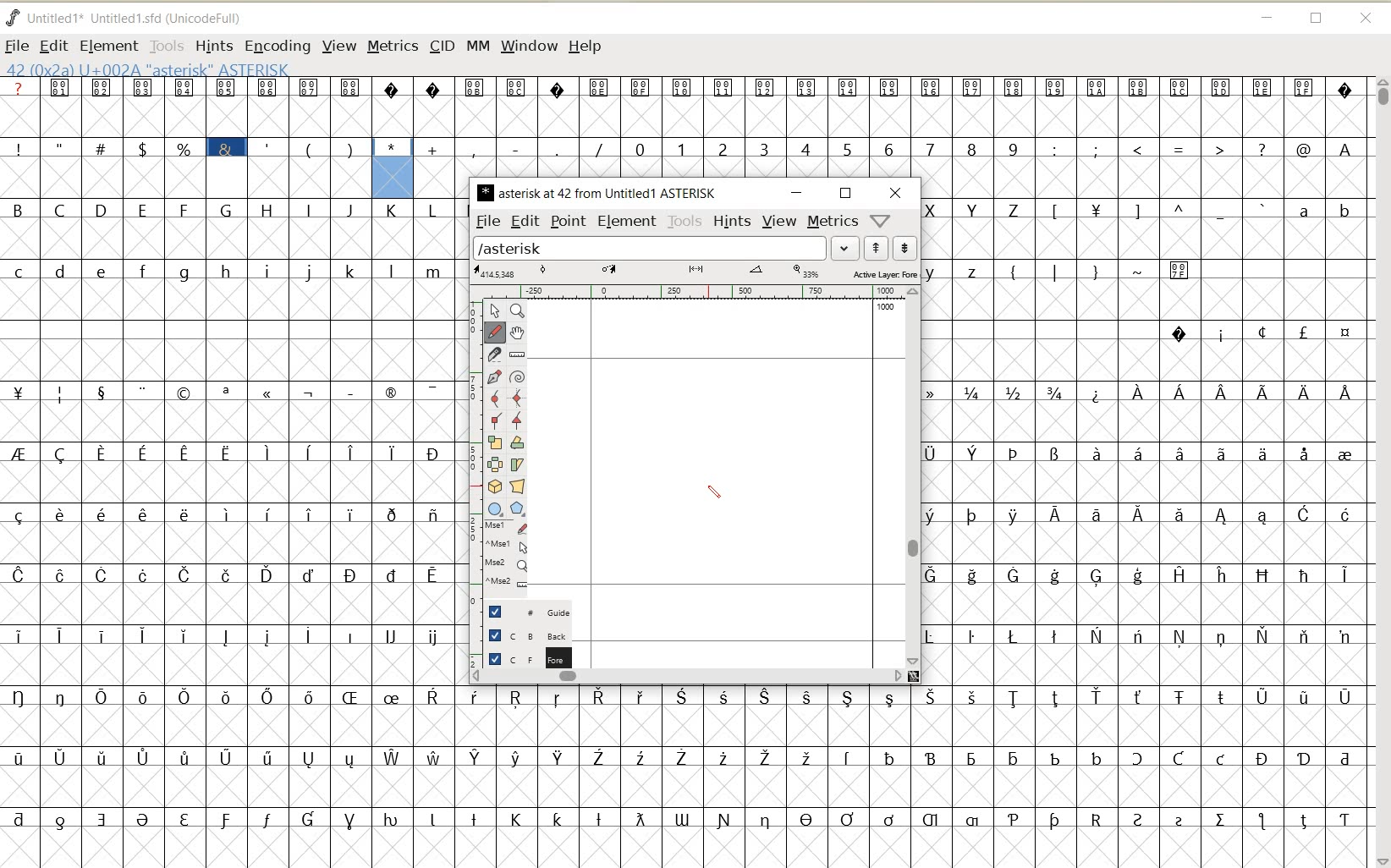 The height and width of the screenshot is (868, 1391). What do you see at coordinates (689, 777) in the screenshot?
I see `GLYPHY CHARACTERS` at bounding box center [689, 777].